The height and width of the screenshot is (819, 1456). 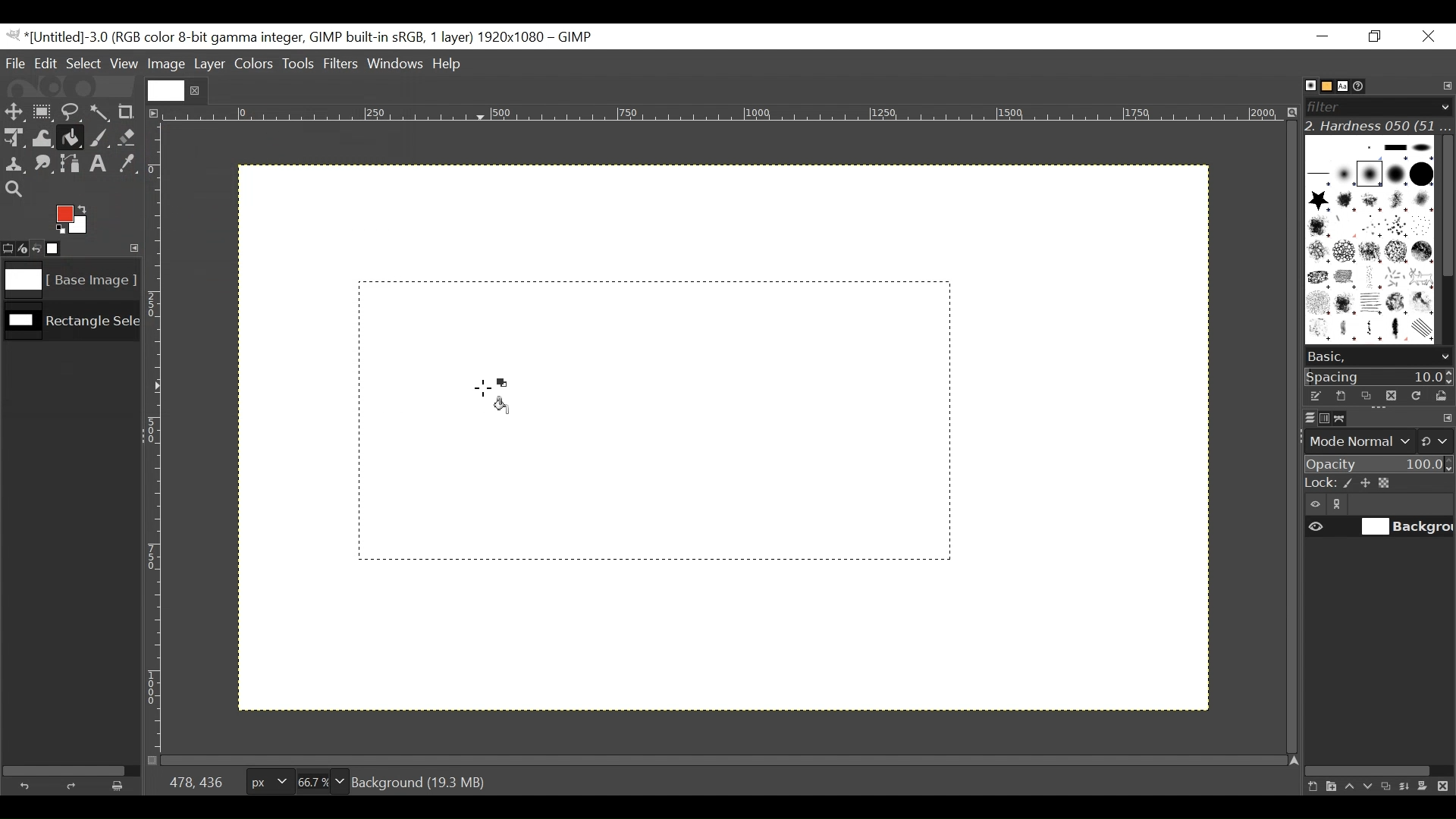 I want to click on Filter bar, so click(x=1377, y=105).